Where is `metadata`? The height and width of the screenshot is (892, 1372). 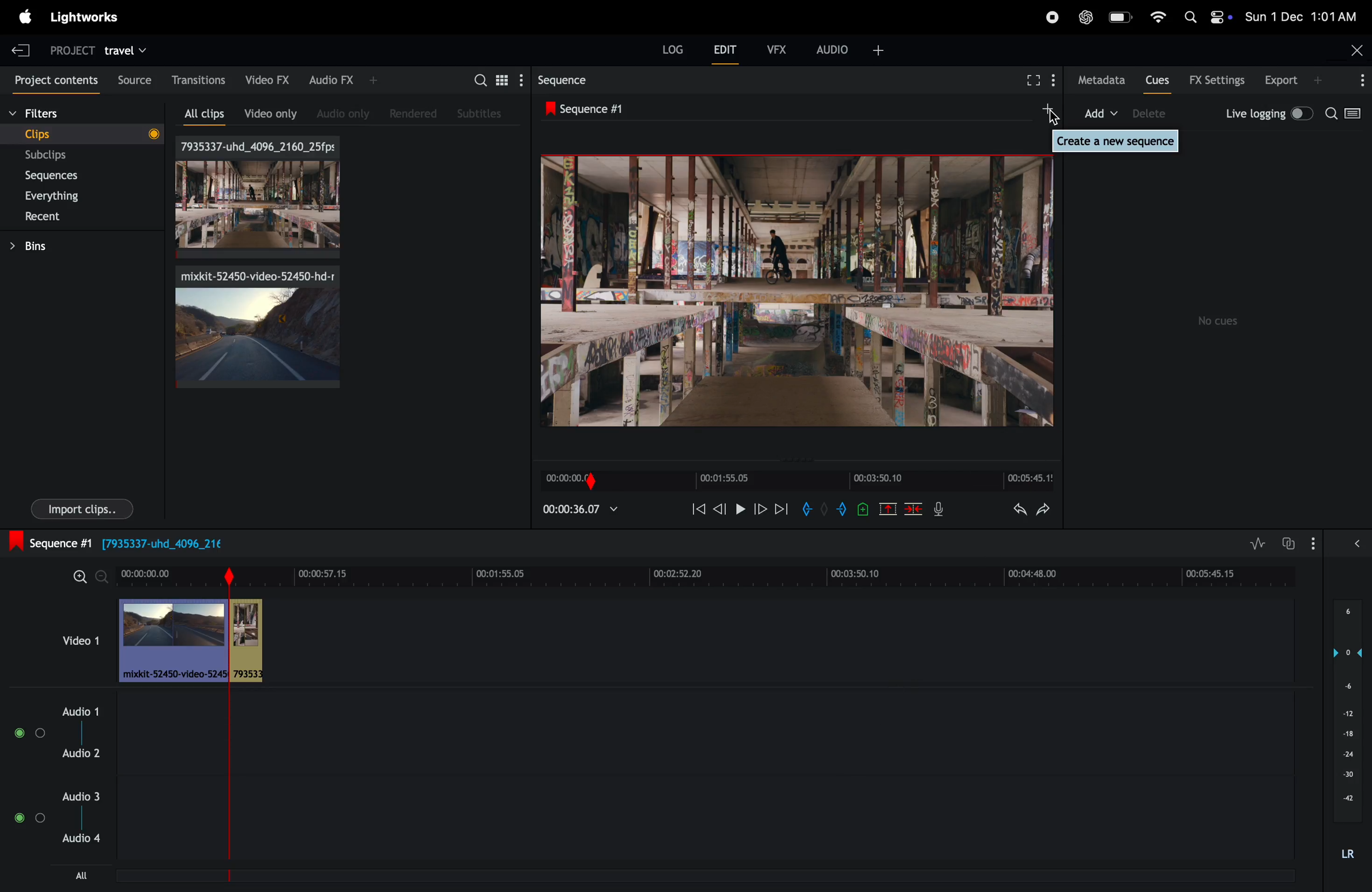 metadata is located at coordinates (1103, 81).